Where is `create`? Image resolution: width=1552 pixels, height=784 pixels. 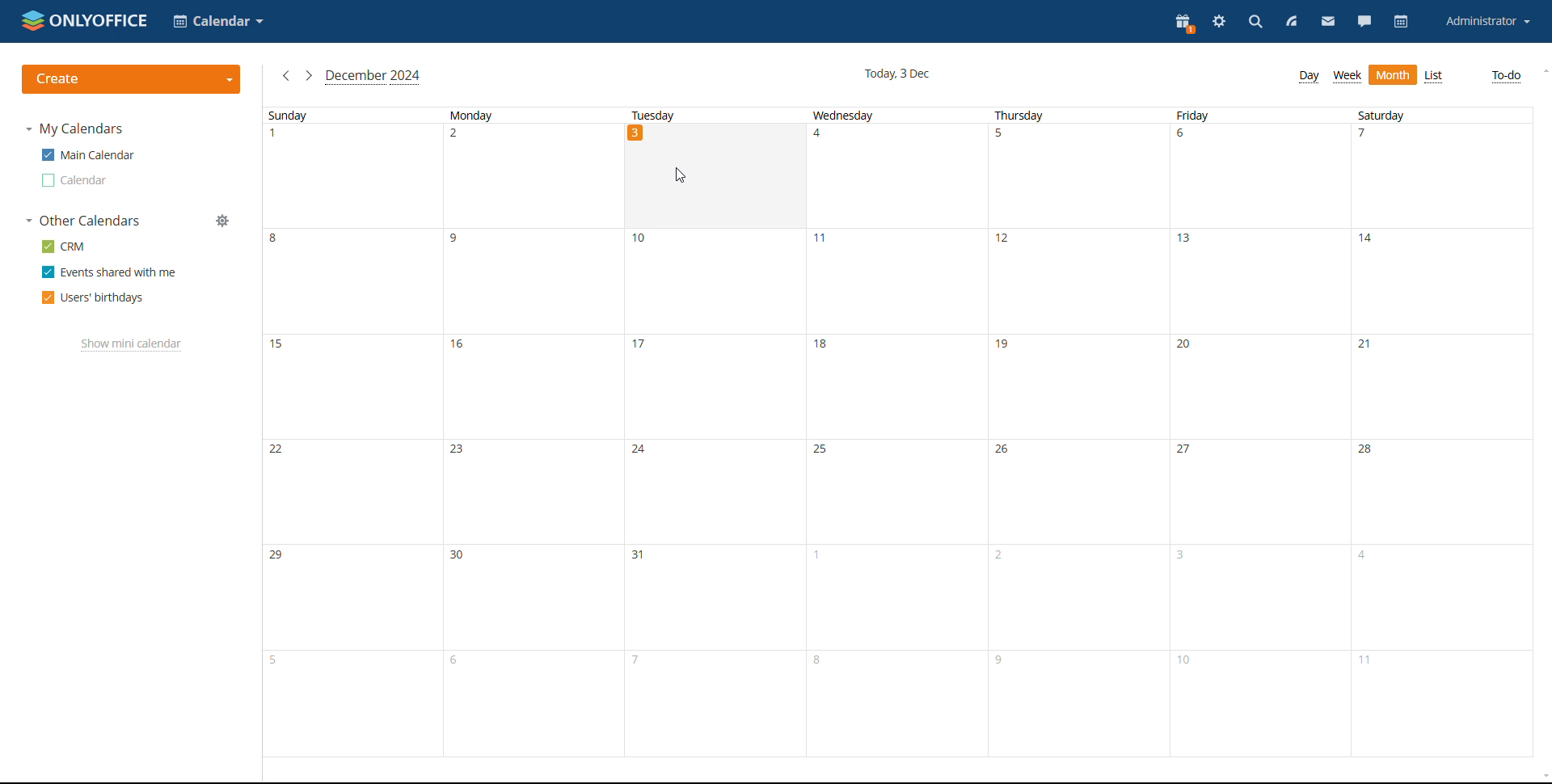
create is located at coordinates (131, 79).